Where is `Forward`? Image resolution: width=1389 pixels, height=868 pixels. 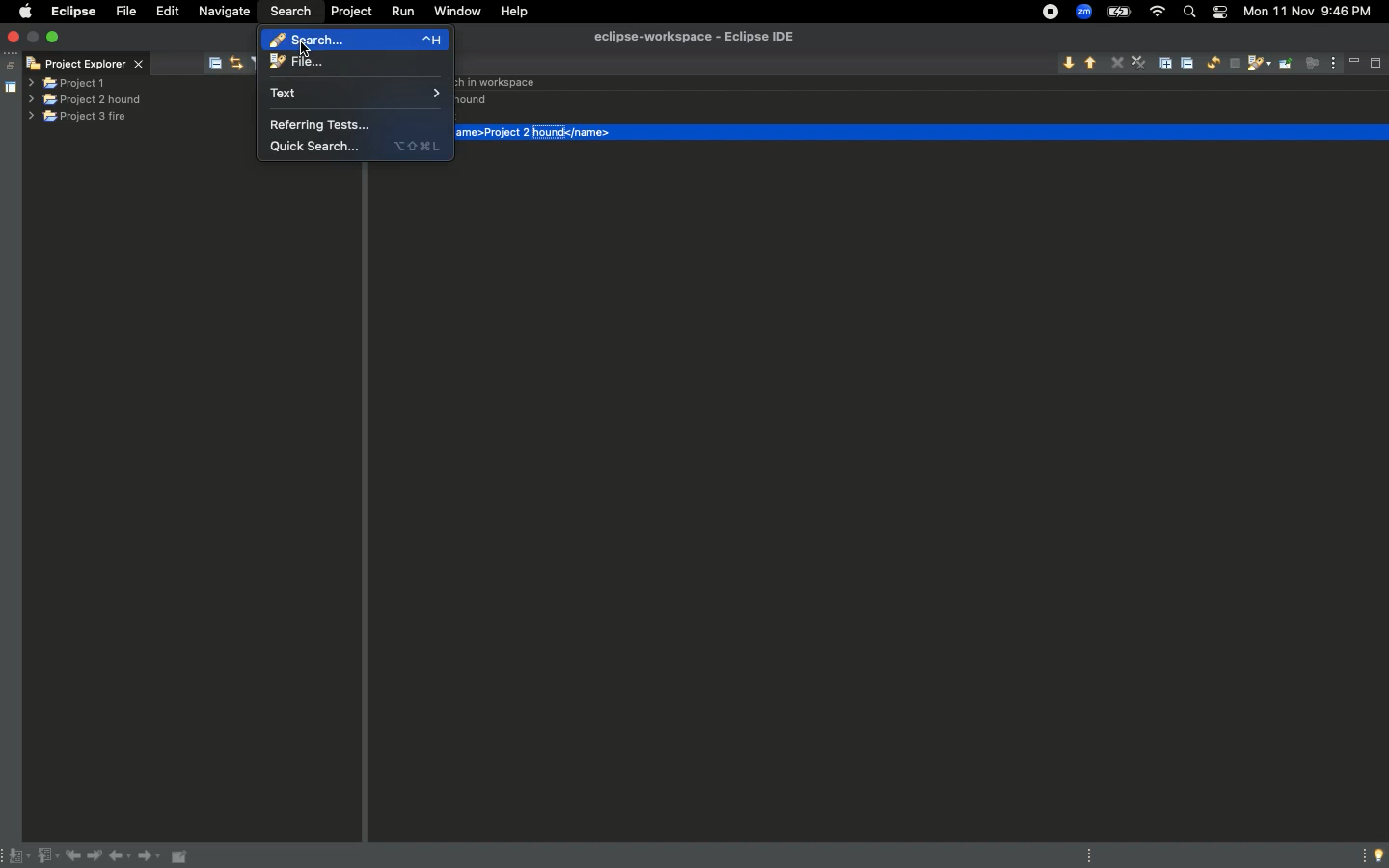
Forward is located at coordinates (150, 858).